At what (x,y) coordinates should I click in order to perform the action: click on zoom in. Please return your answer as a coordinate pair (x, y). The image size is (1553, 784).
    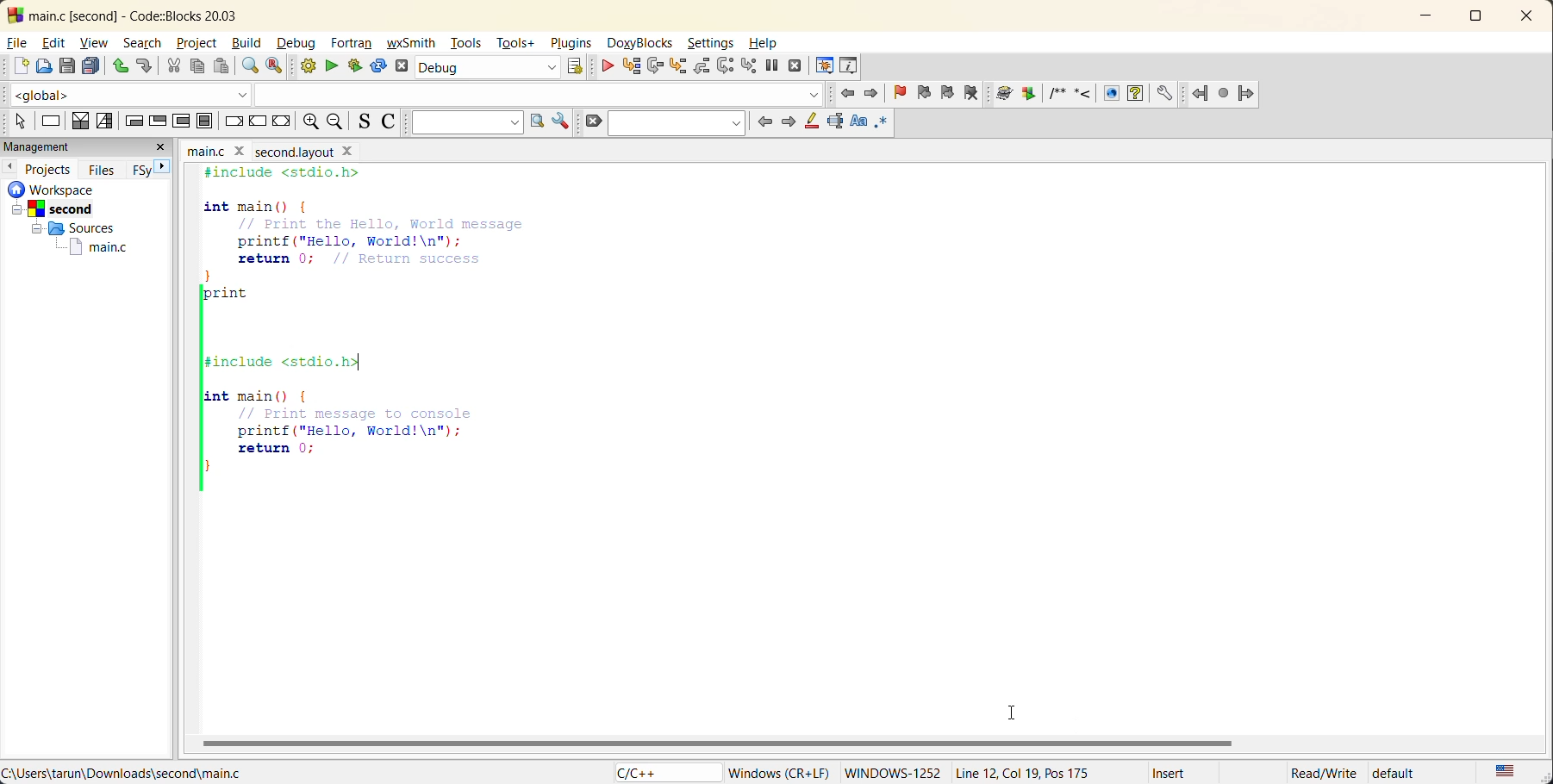
    Looking at the image, I should click on (309, 121).